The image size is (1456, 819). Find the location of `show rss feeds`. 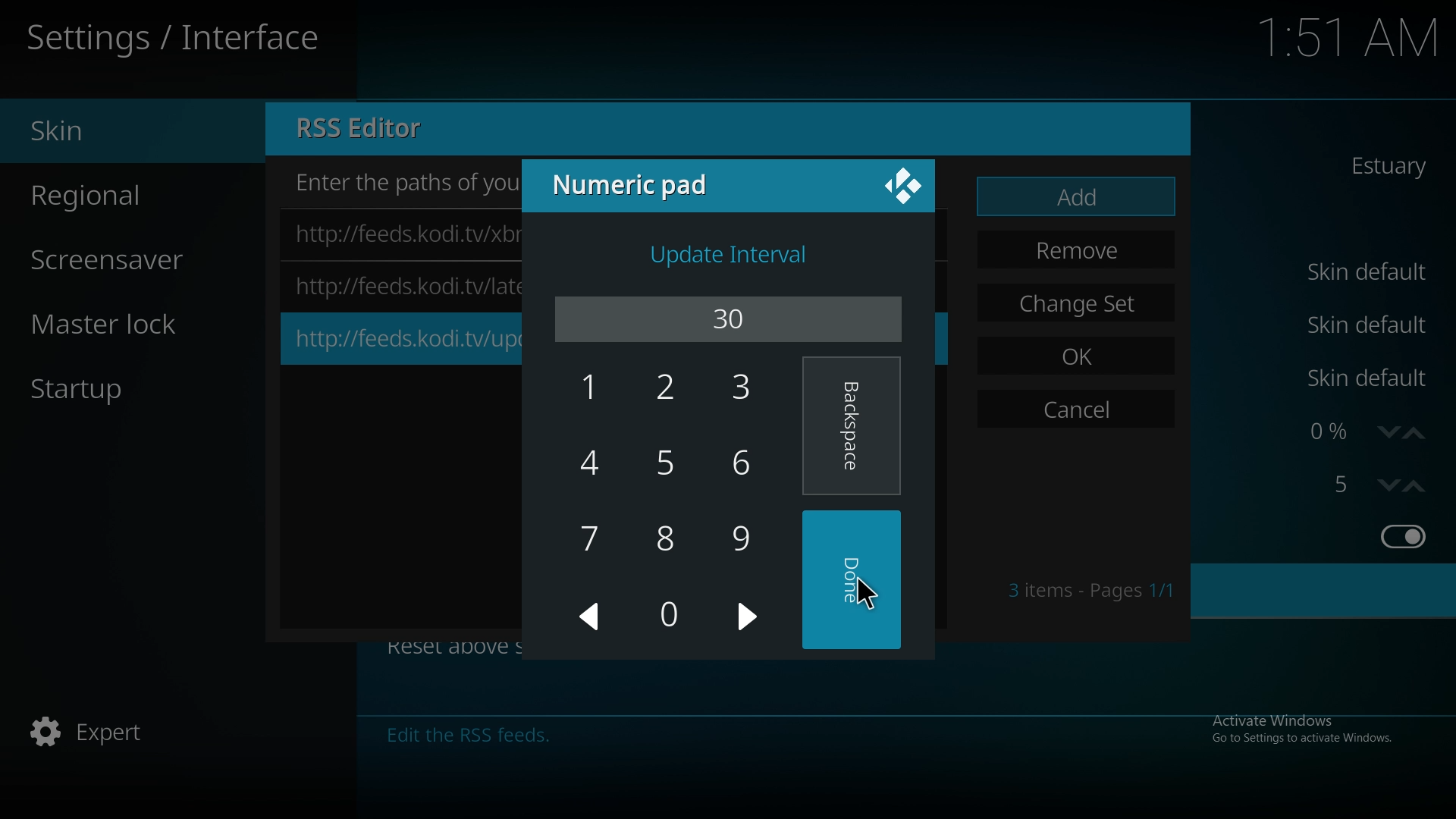

show rss feeds is located at coordinates (1401, 536).